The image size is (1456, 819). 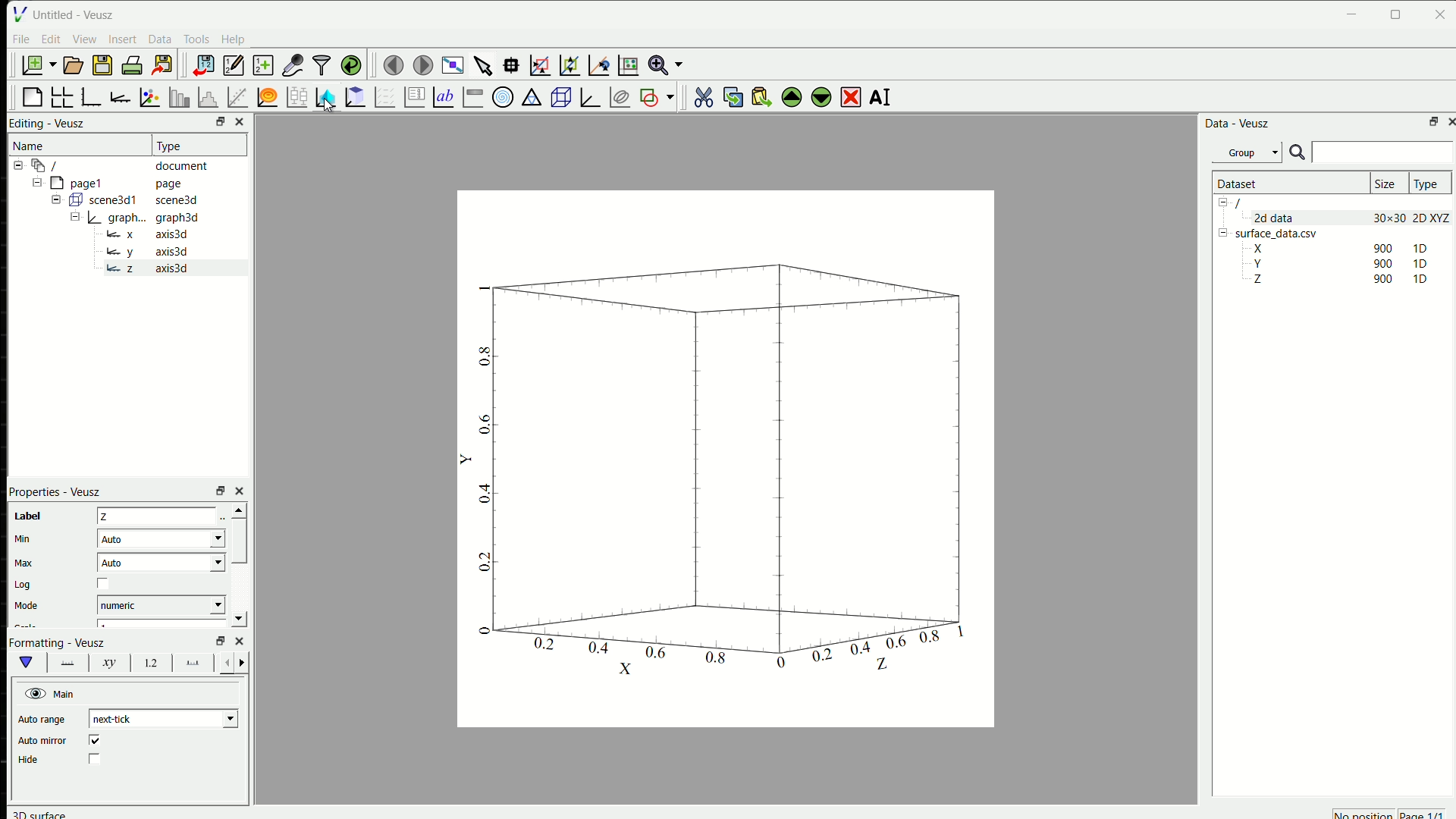 I want to click on Y 90 1D, so click(x=1336, y=263).